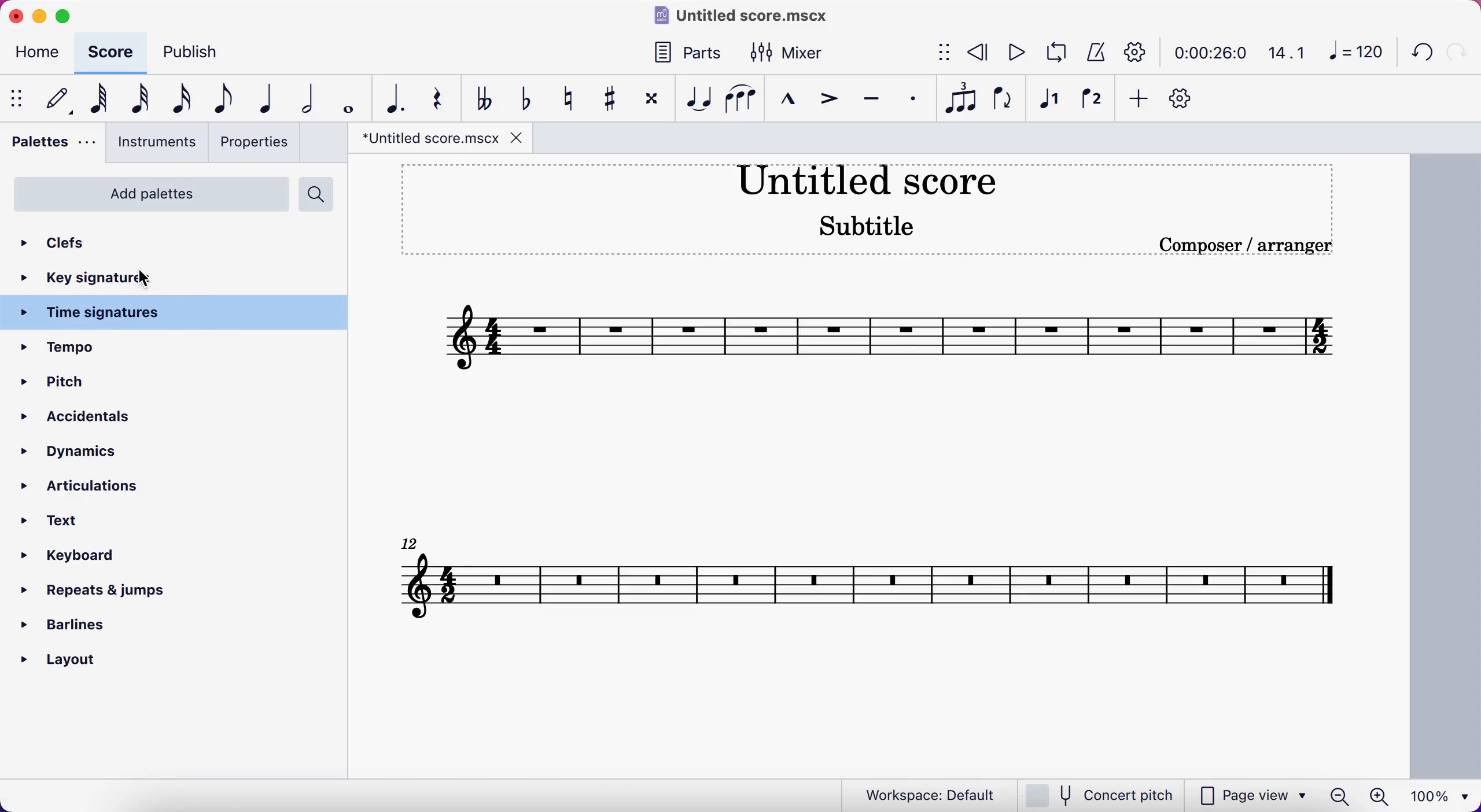  I want to click on voice 2, so click(1095, 102).